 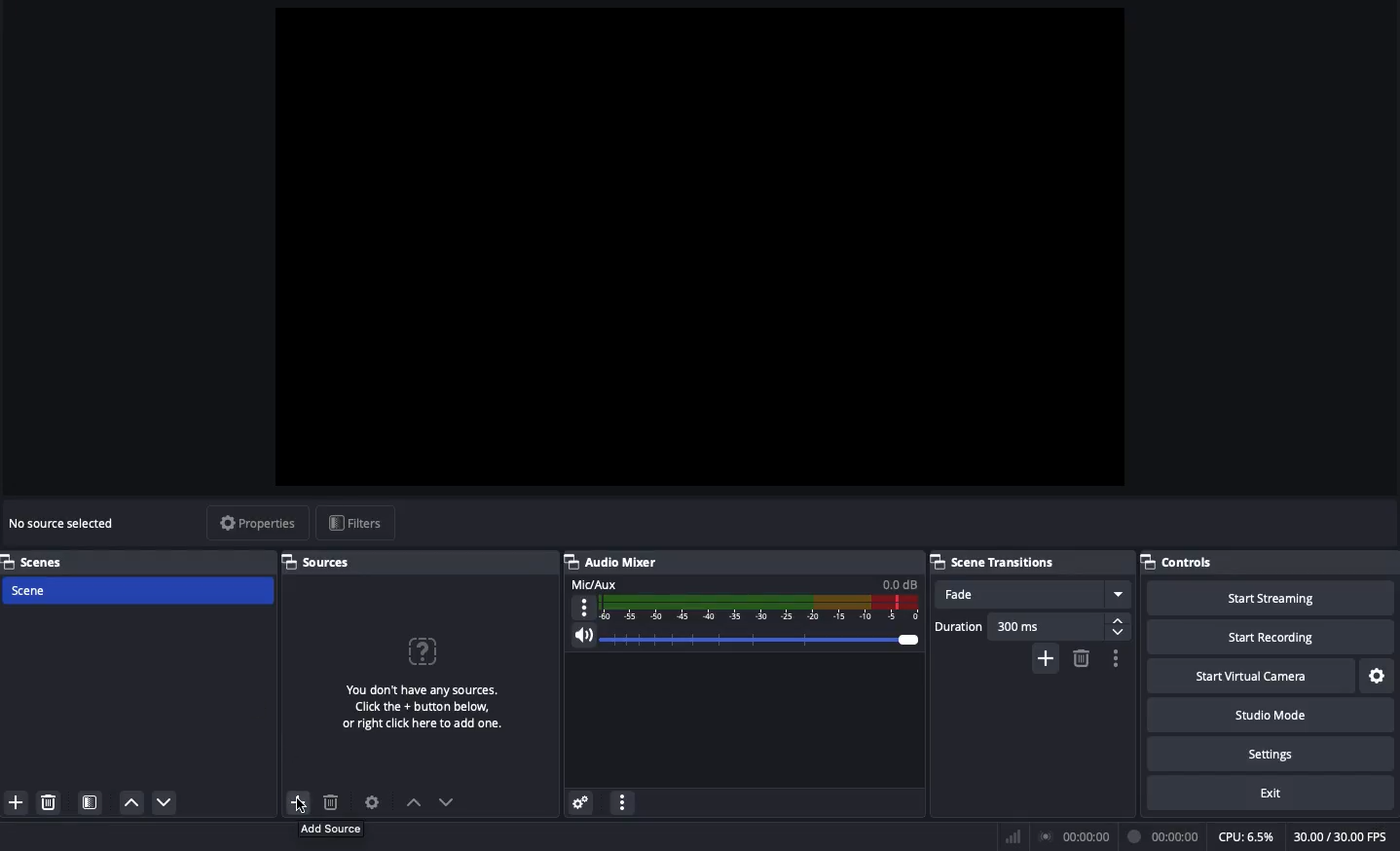 I want to click on Remove, so click(x=1082, y=658).